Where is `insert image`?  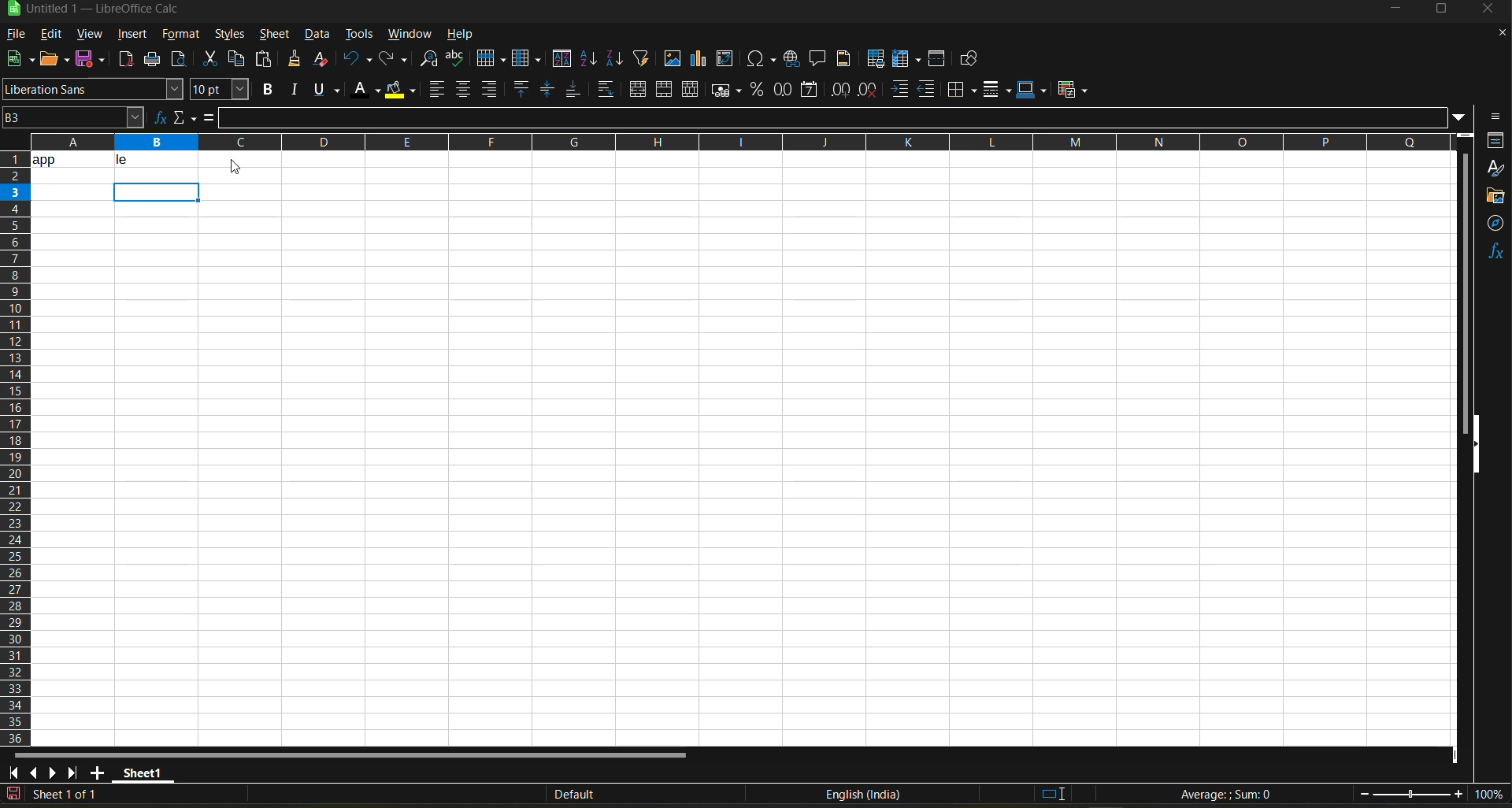
insert image is located at coordinates (672, 58).